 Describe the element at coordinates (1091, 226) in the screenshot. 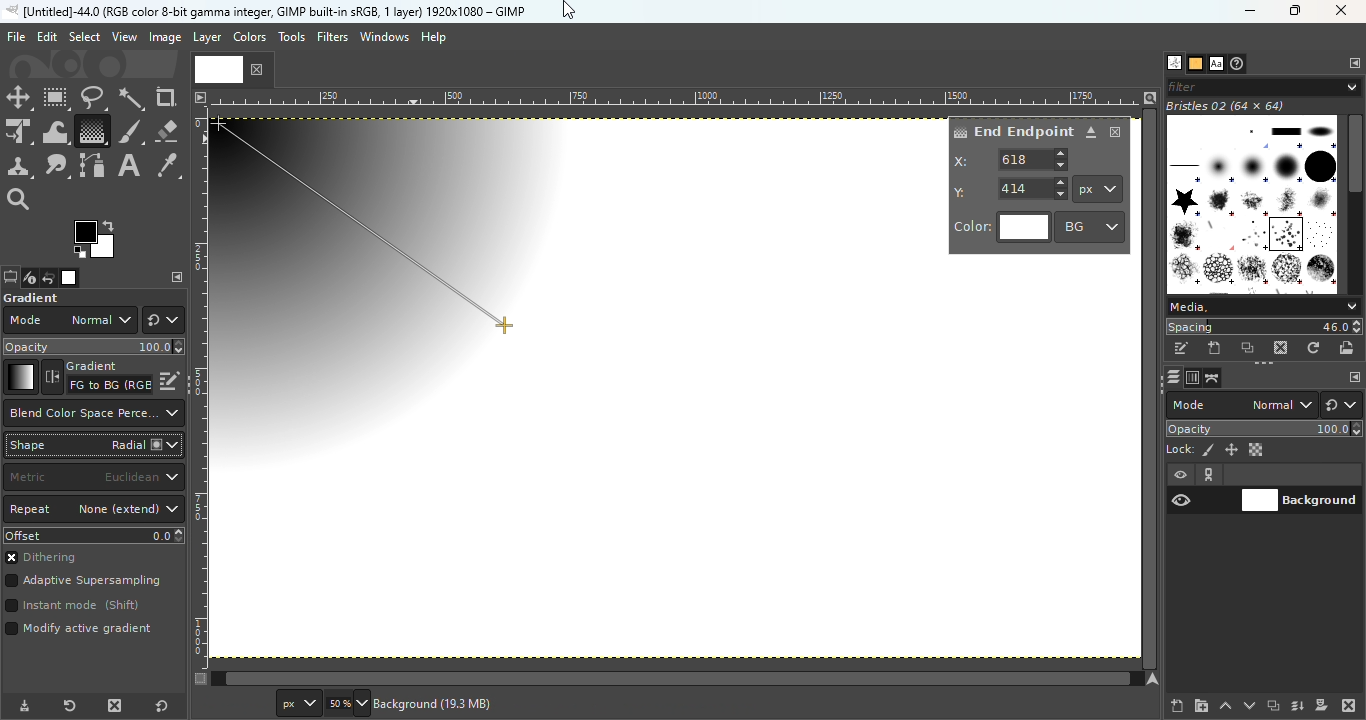

I see `Background color` at that location.